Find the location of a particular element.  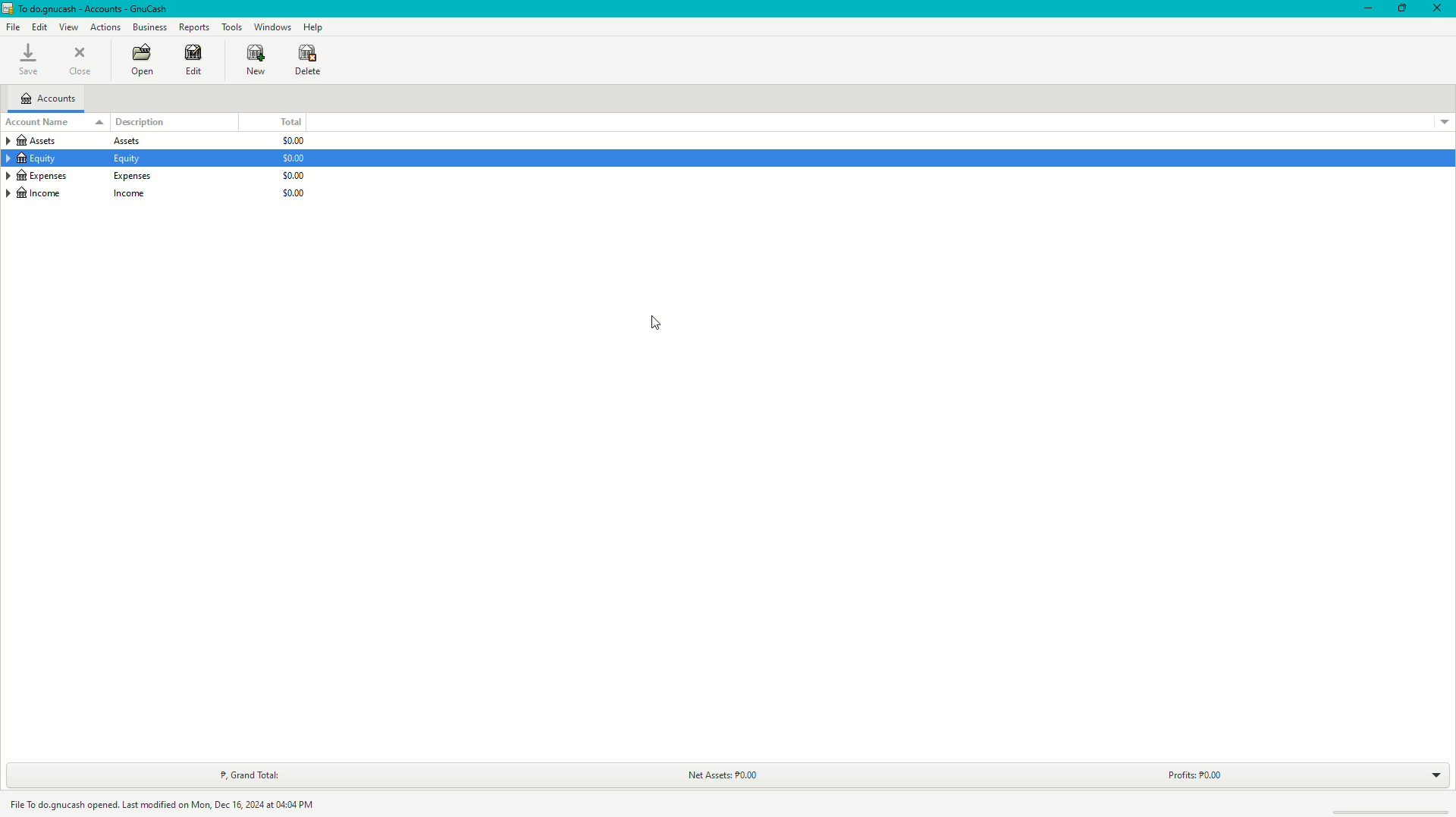

Assets is located at coordinates (77, 140).